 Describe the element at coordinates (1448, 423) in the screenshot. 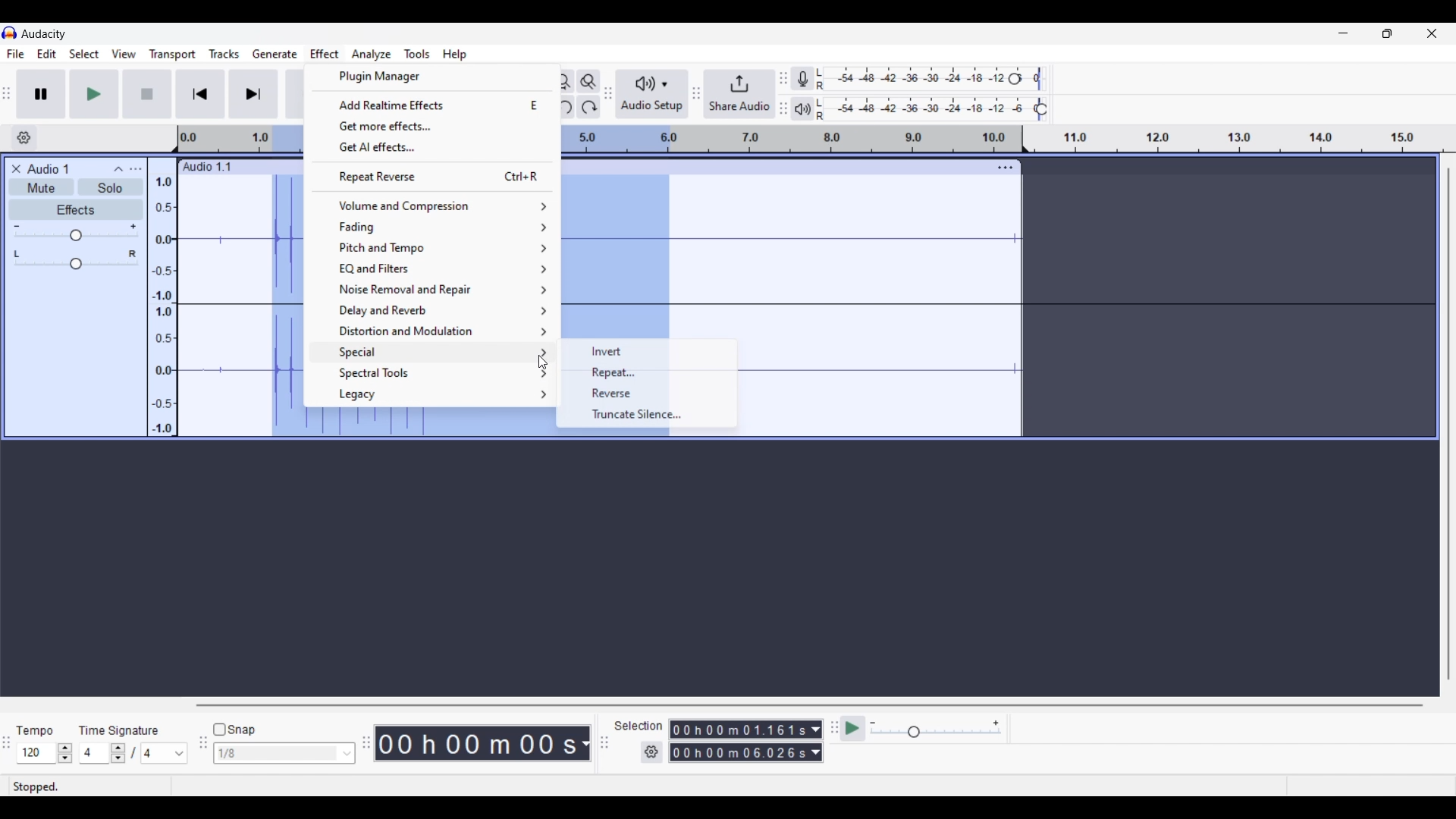

I see `Vertical slide bar` at that location.